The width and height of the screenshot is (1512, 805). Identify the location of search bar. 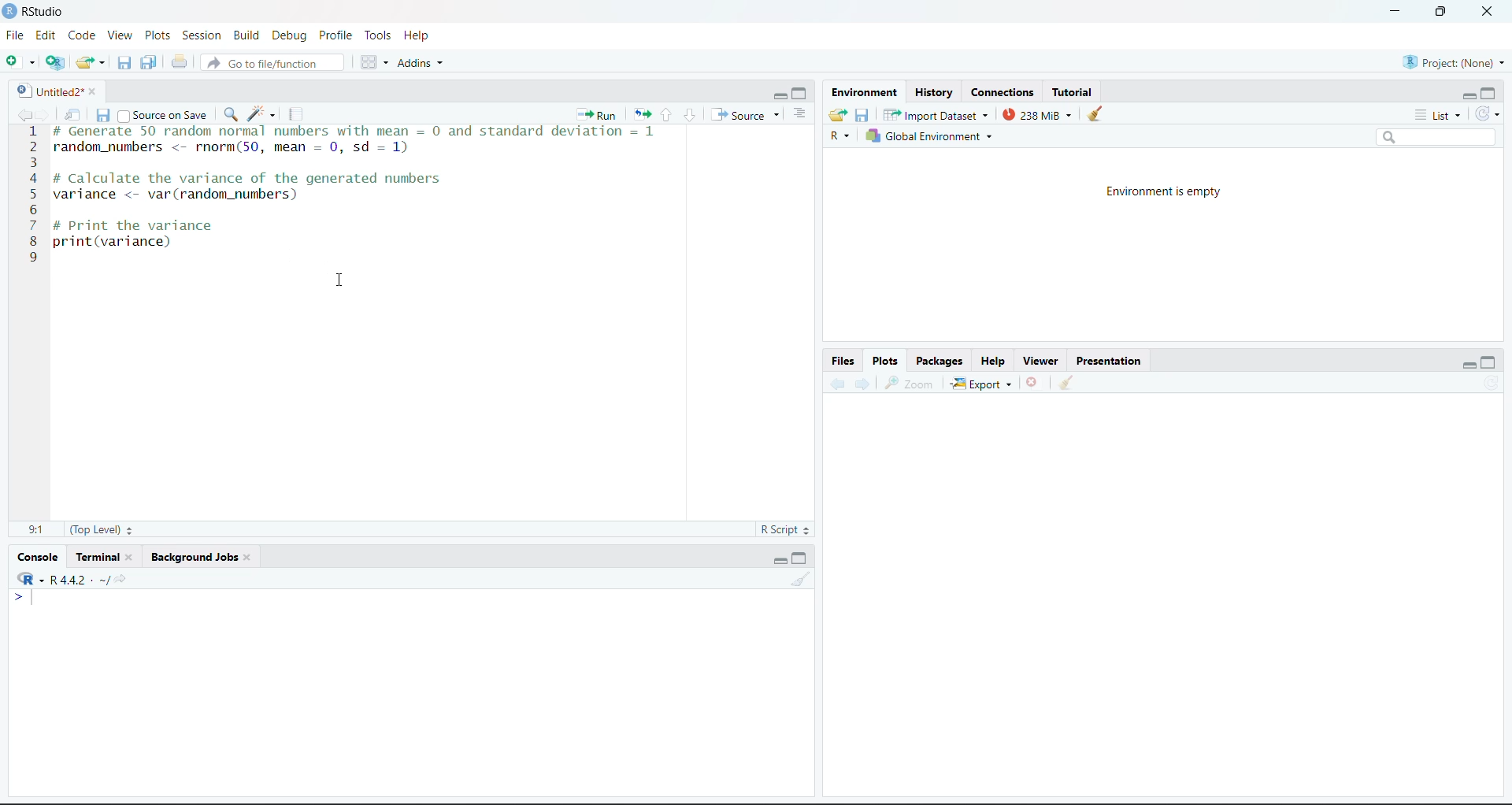
(1435, 137).